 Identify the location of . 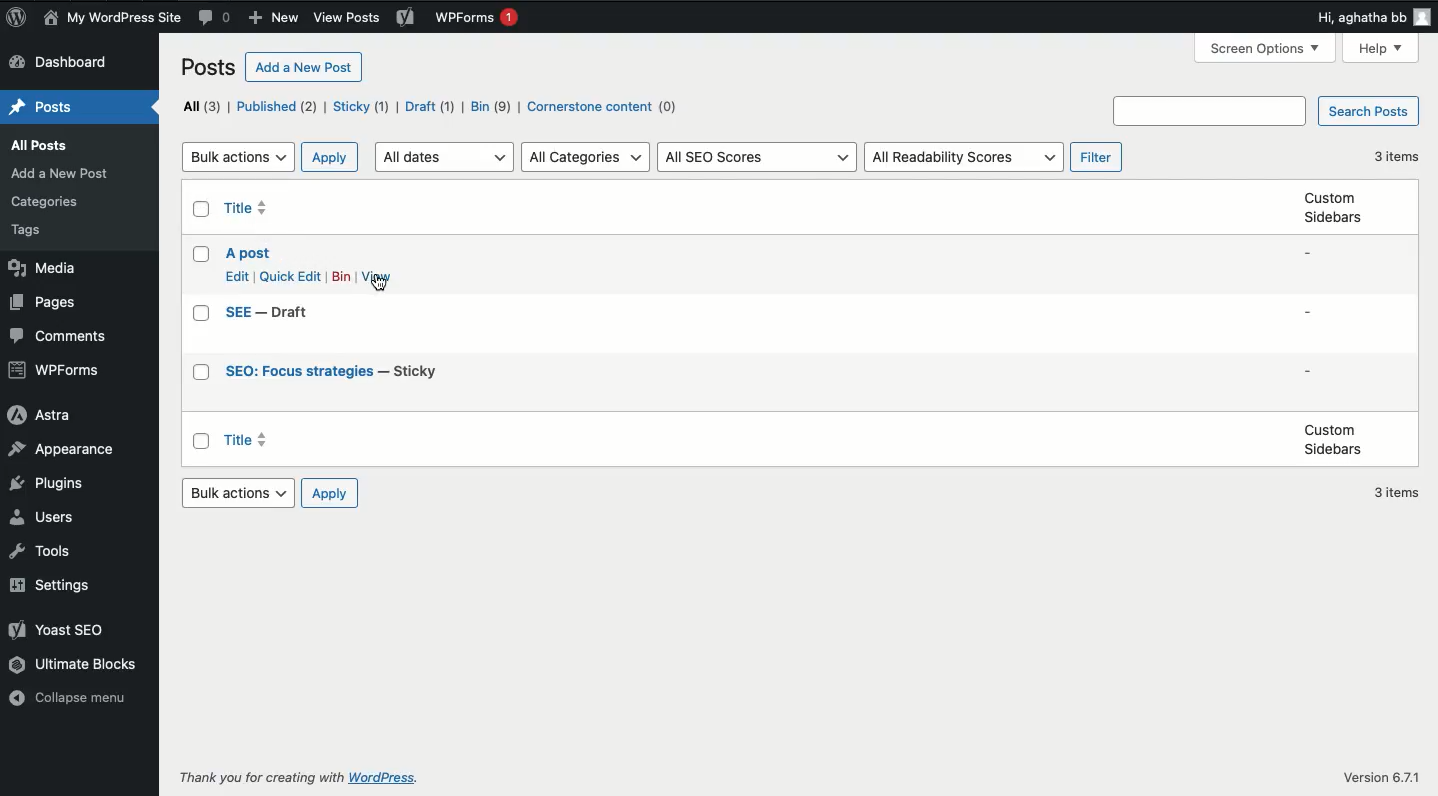
(1207, 111).